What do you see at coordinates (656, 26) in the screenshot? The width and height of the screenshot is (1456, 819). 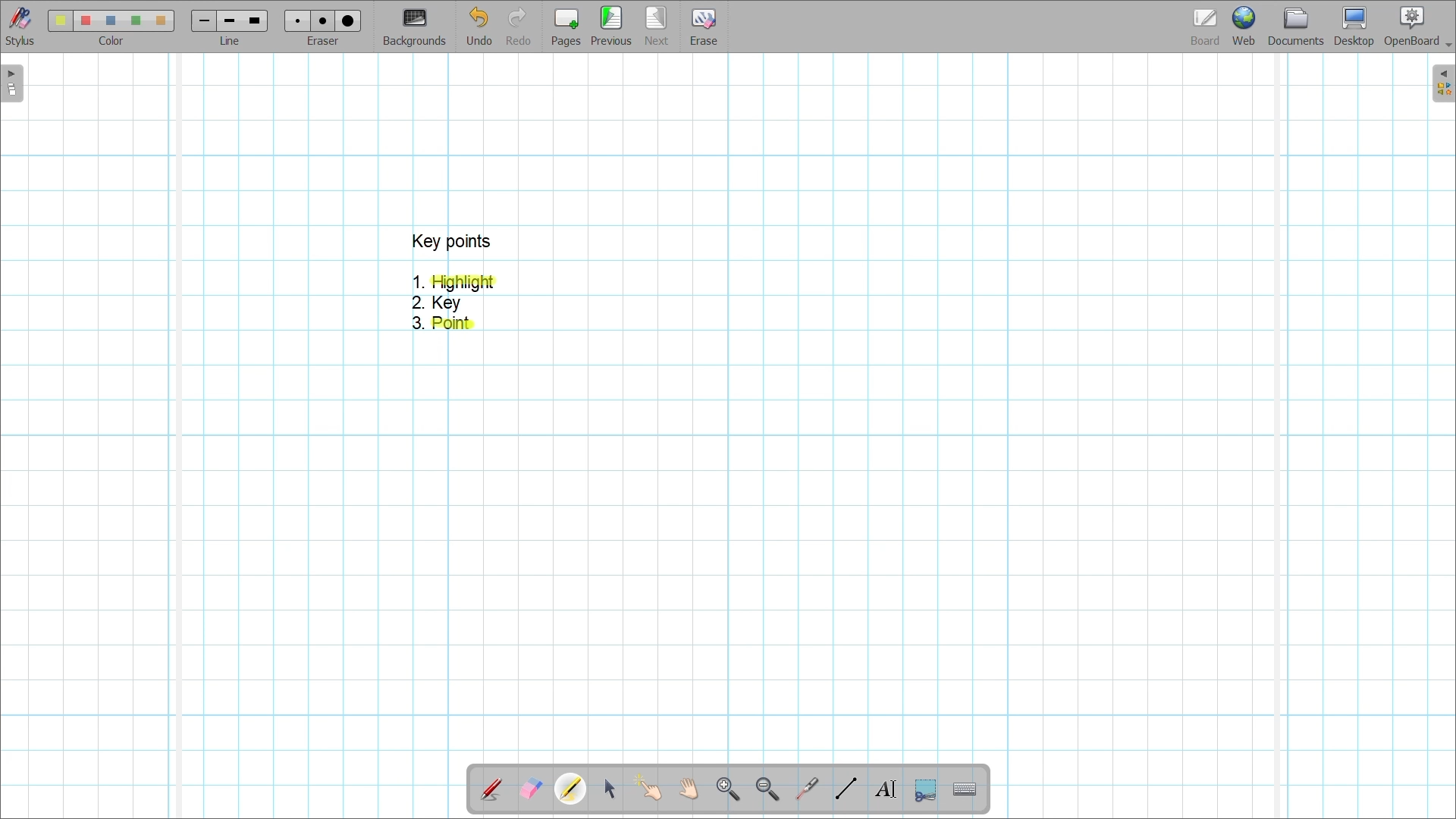 I see `Go to next page` at bounding box center [656, 26].